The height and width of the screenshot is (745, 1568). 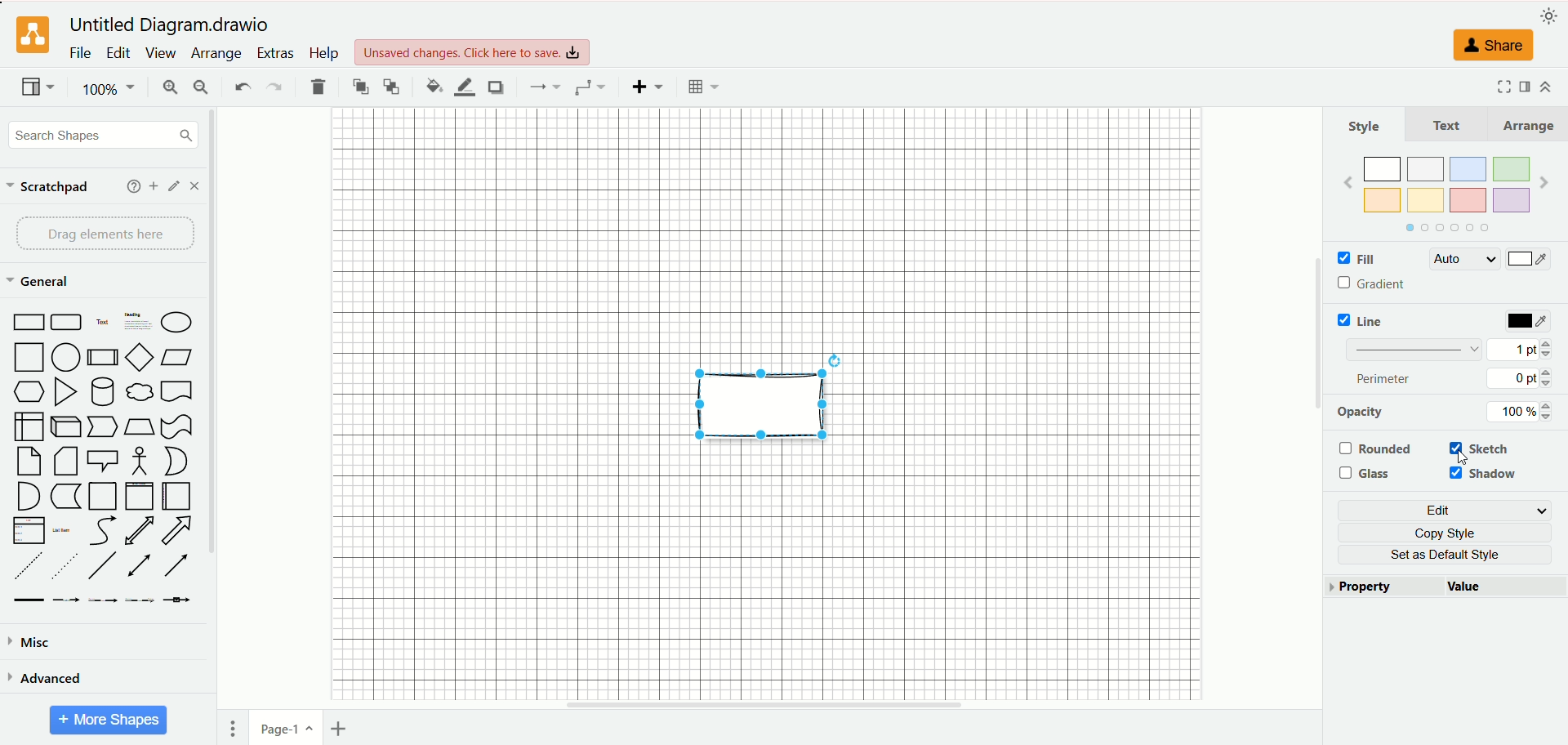 I want to click on extras, so click(x=277, y=53).